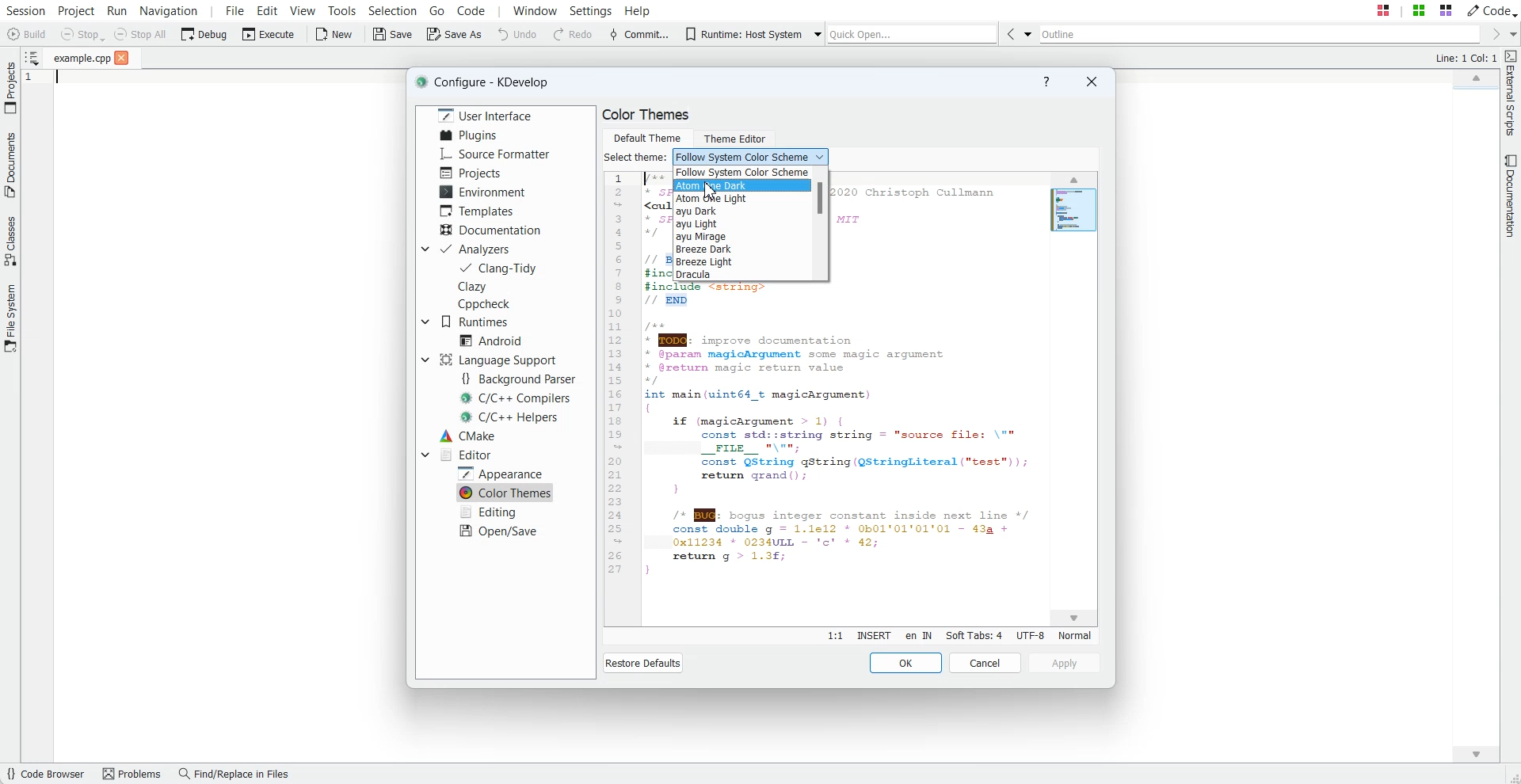 This screenshot has height=784, width=1521. What do you see at coordinates (744, 212) in the screenshot?
I see `ayu Dark` at bounding box center [744, 212].